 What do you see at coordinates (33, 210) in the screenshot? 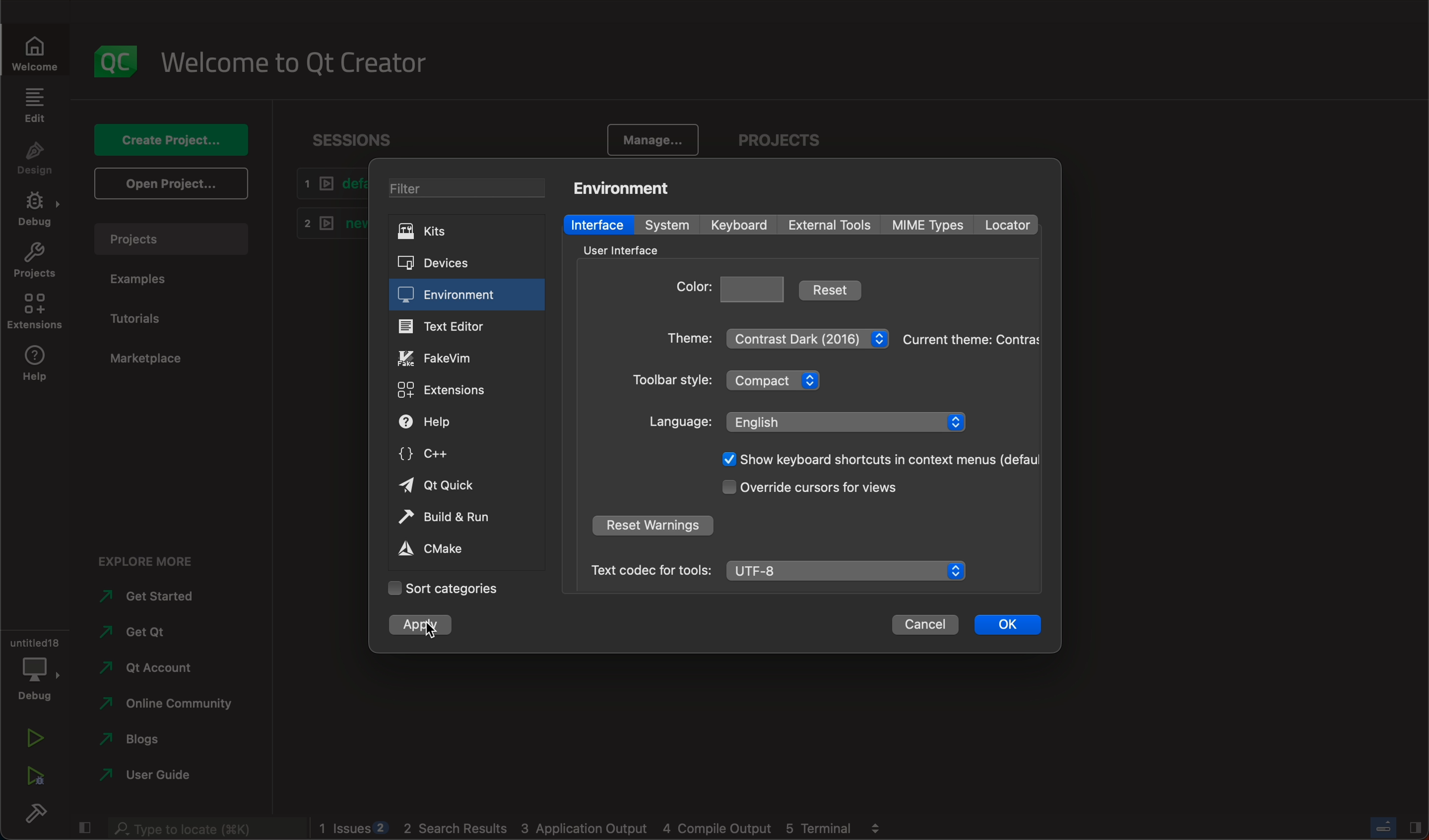
I see `debug` at bounding box center [33, 210].